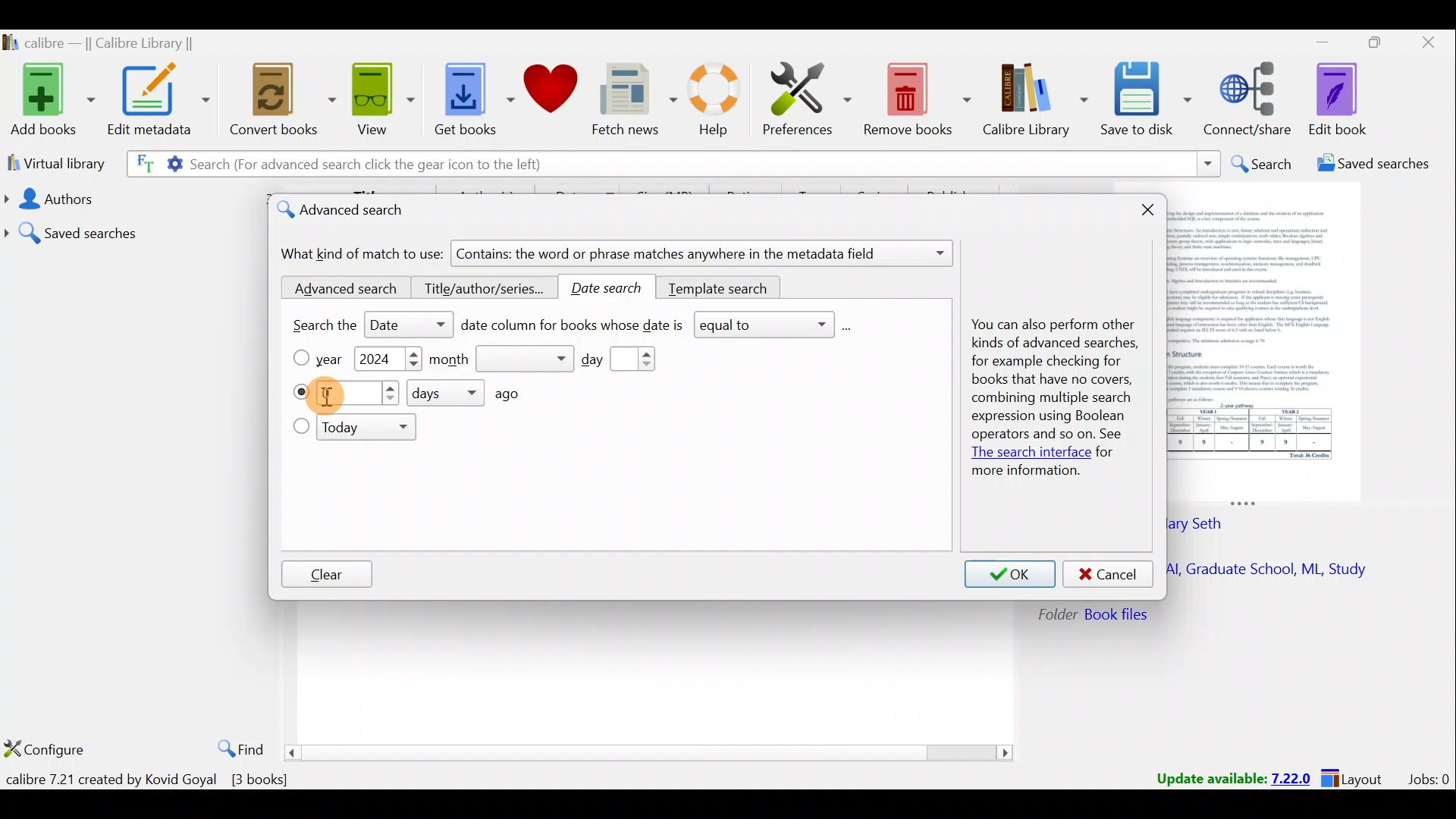  What do you see at coordinates (354, 212) in the screenshot?
I see `Advanced search` at bounding box center [354, 212].